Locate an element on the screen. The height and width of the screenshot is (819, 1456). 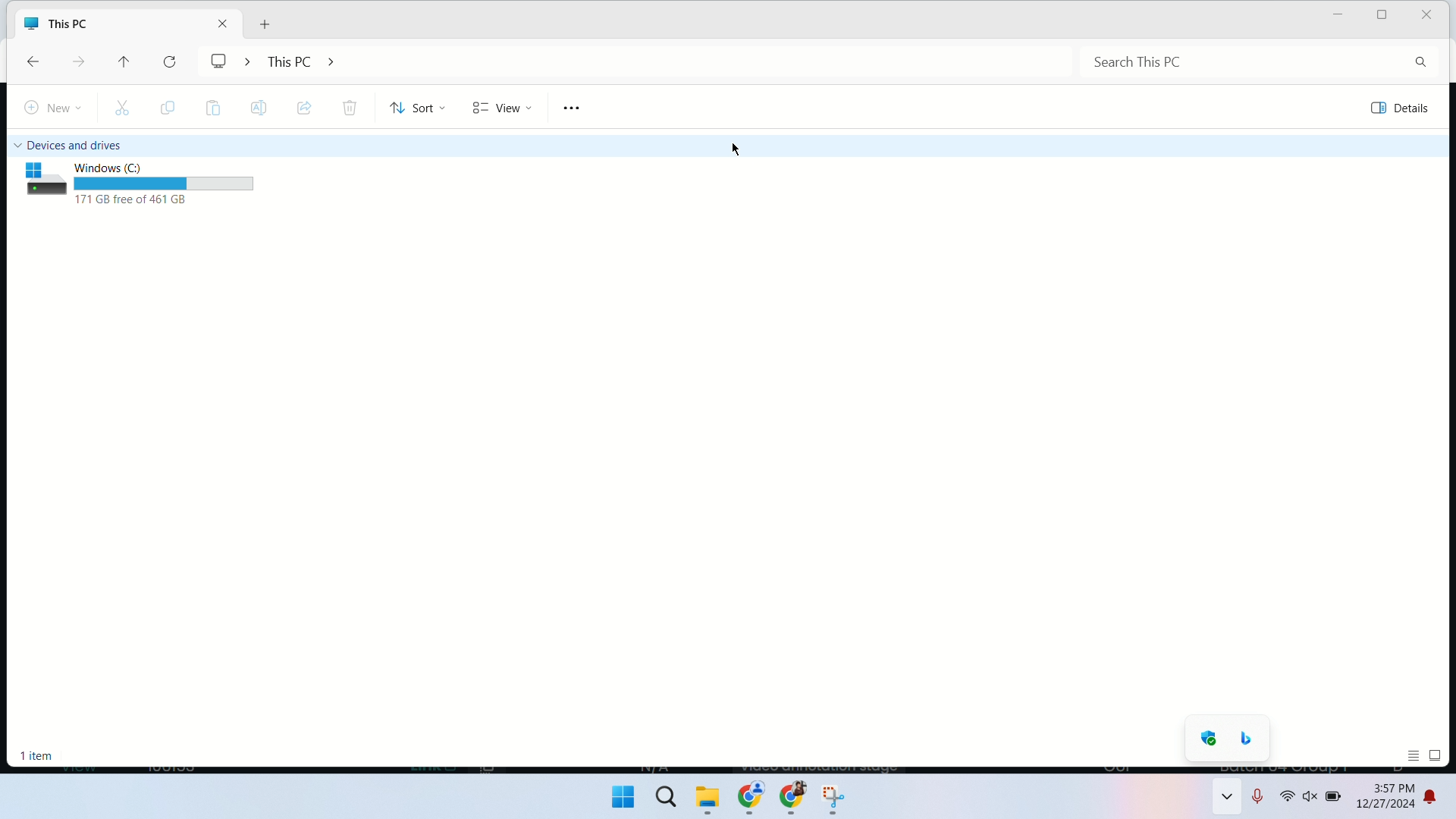
display is located at coordinates (1413, 759).